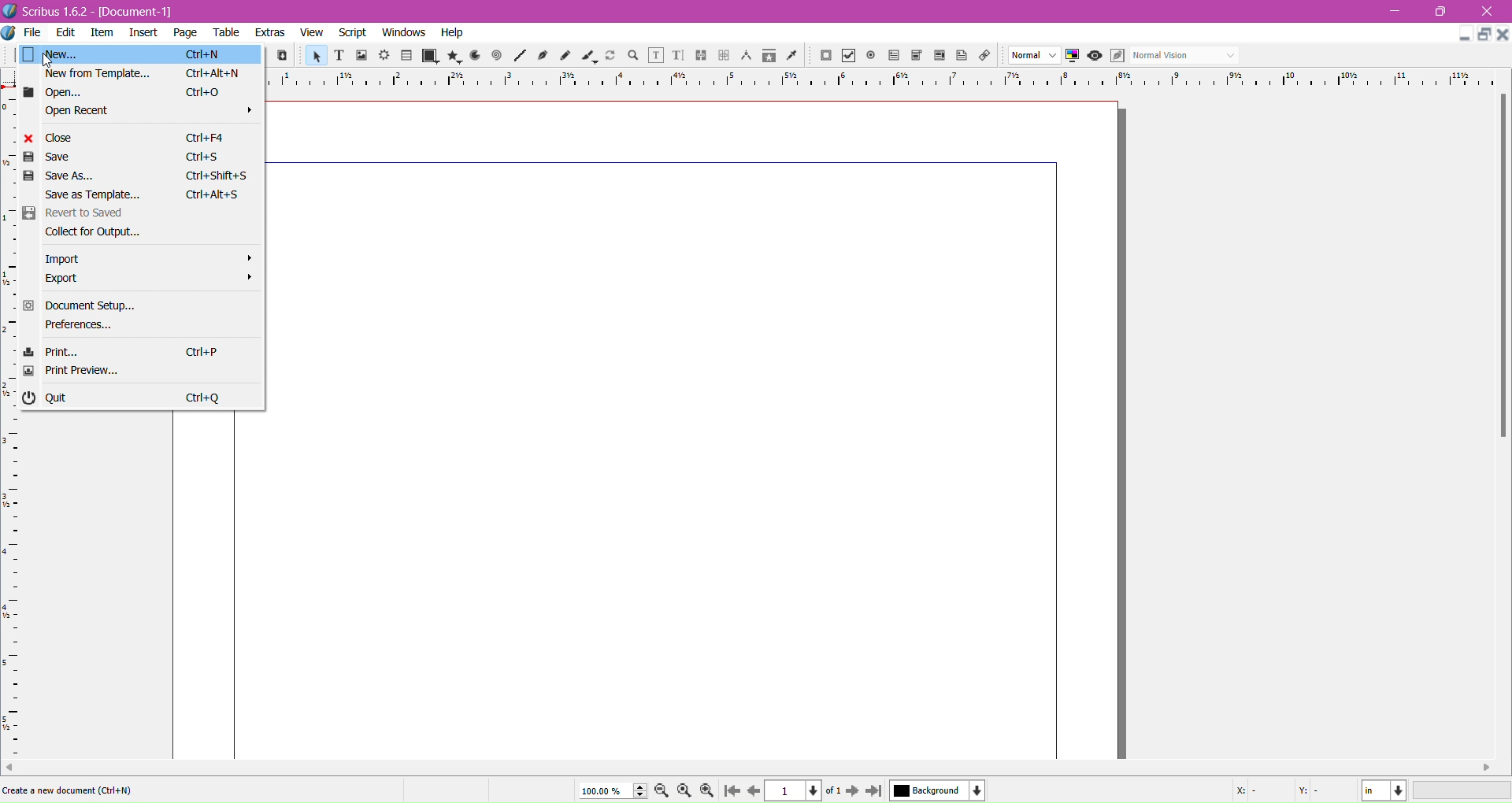 The height and width of the screenshot is (803, 1512). Describe the element at coordinates (564, 56) in the screenshot. I see `icon` at that location.